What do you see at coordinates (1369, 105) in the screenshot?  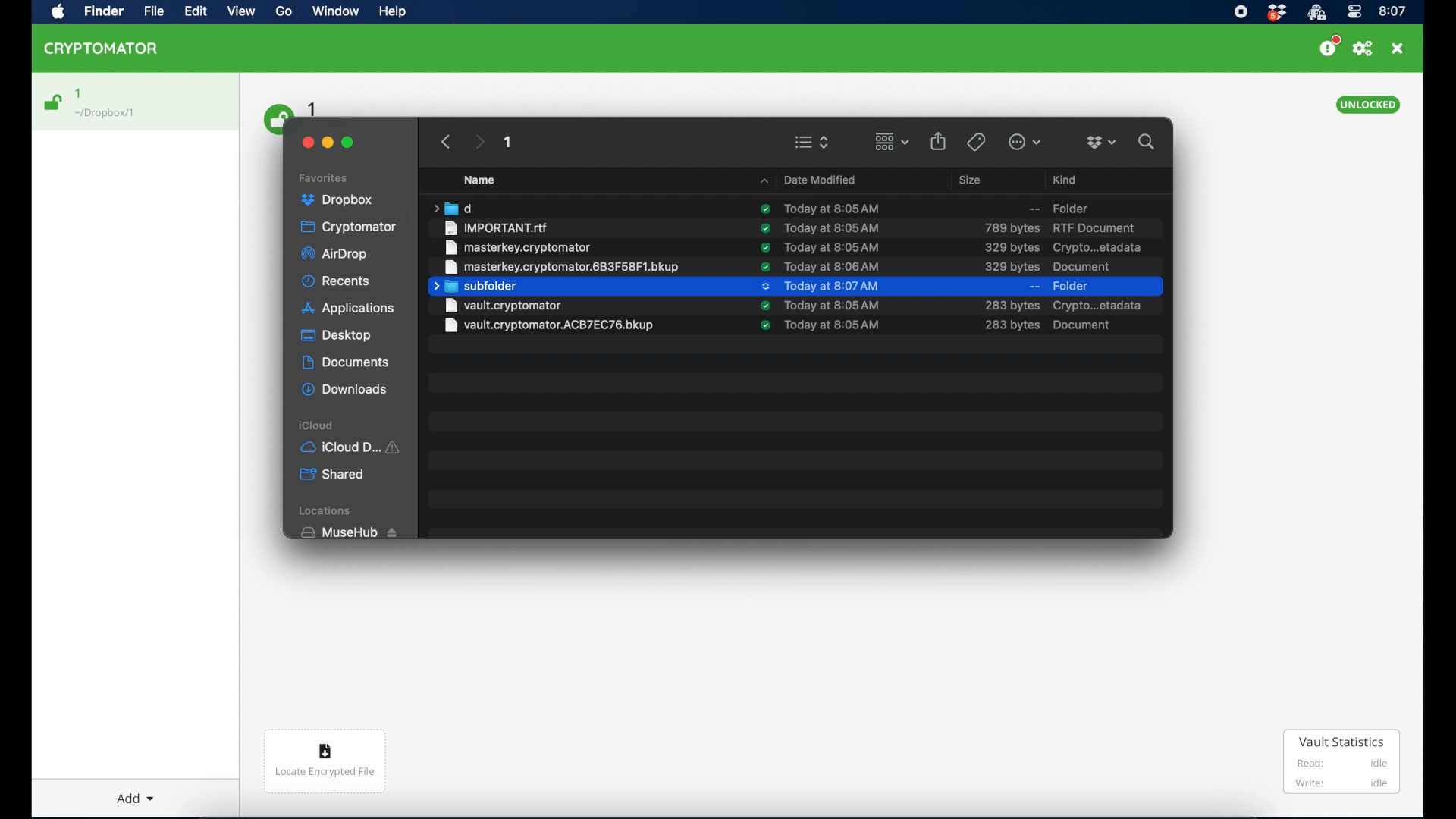 I see `unlocked` at bounding box center [1369, 105].